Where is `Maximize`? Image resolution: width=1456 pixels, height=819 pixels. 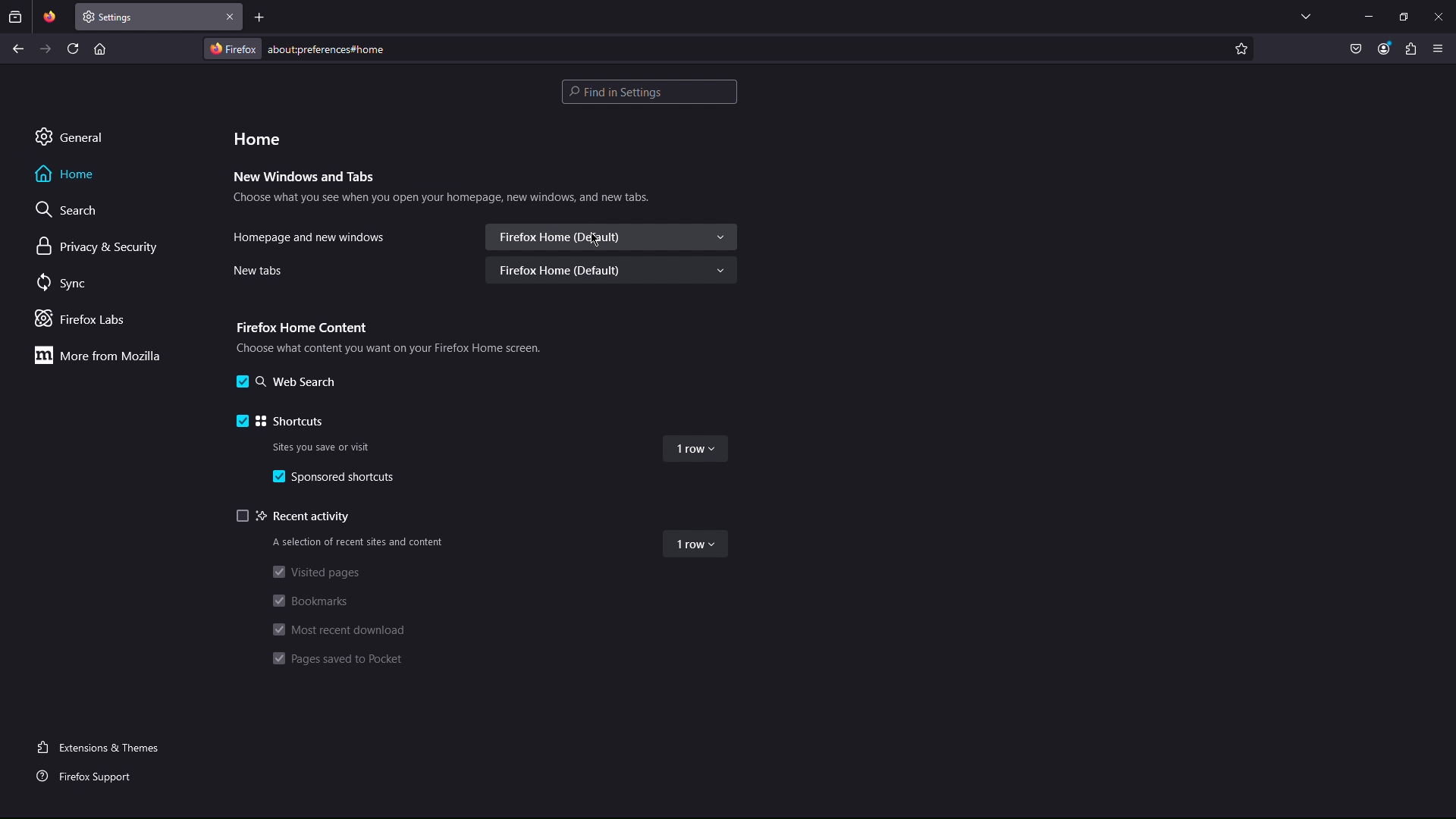 Maximize is located at coordinates (1404, 16).